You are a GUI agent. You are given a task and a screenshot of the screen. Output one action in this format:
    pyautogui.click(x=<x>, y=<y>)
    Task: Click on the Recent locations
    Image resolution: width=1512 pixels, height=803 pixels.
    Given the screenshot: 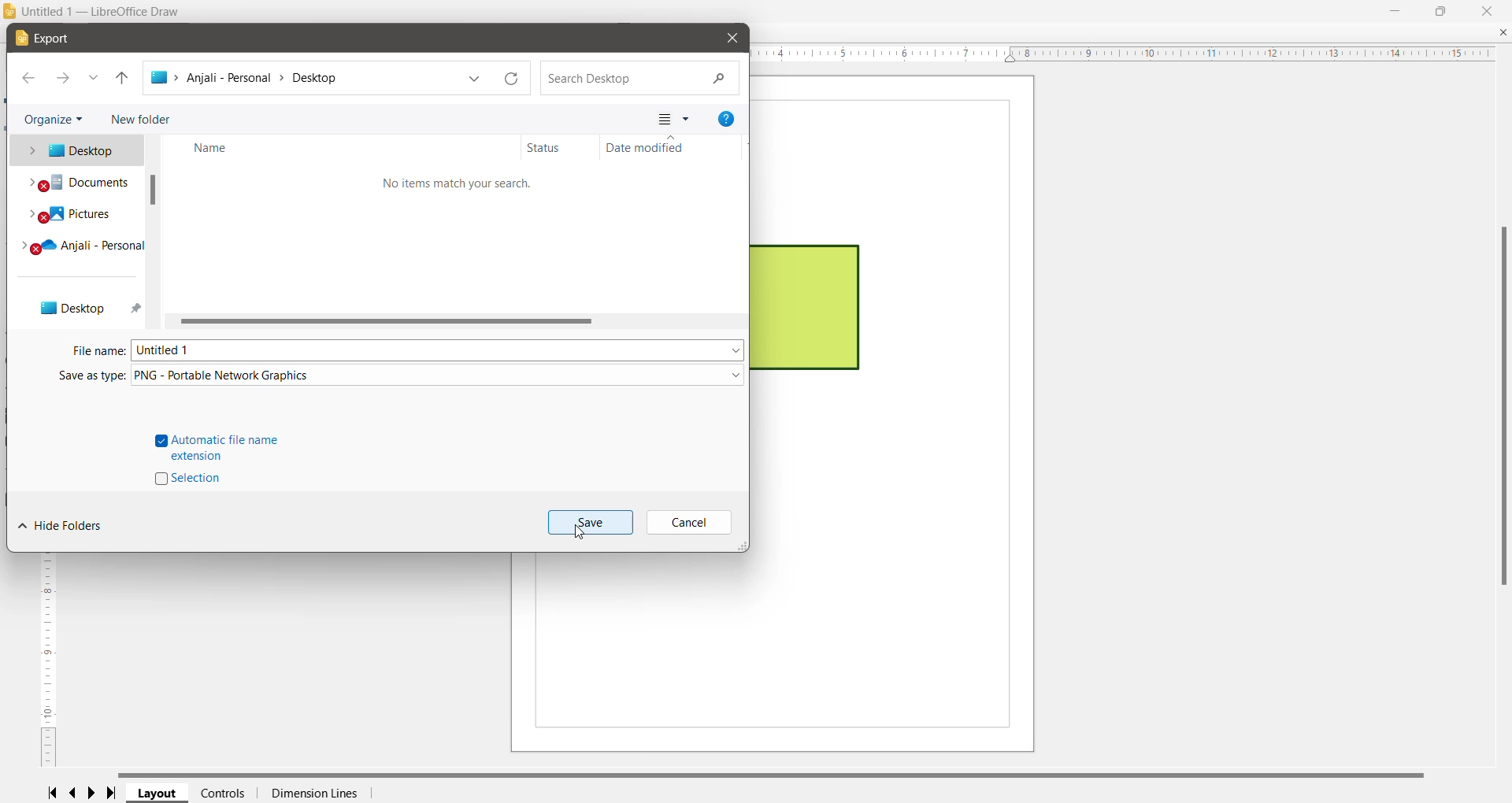 What is the action you would take?
    pyautogui.click(x=94, y=79)
    